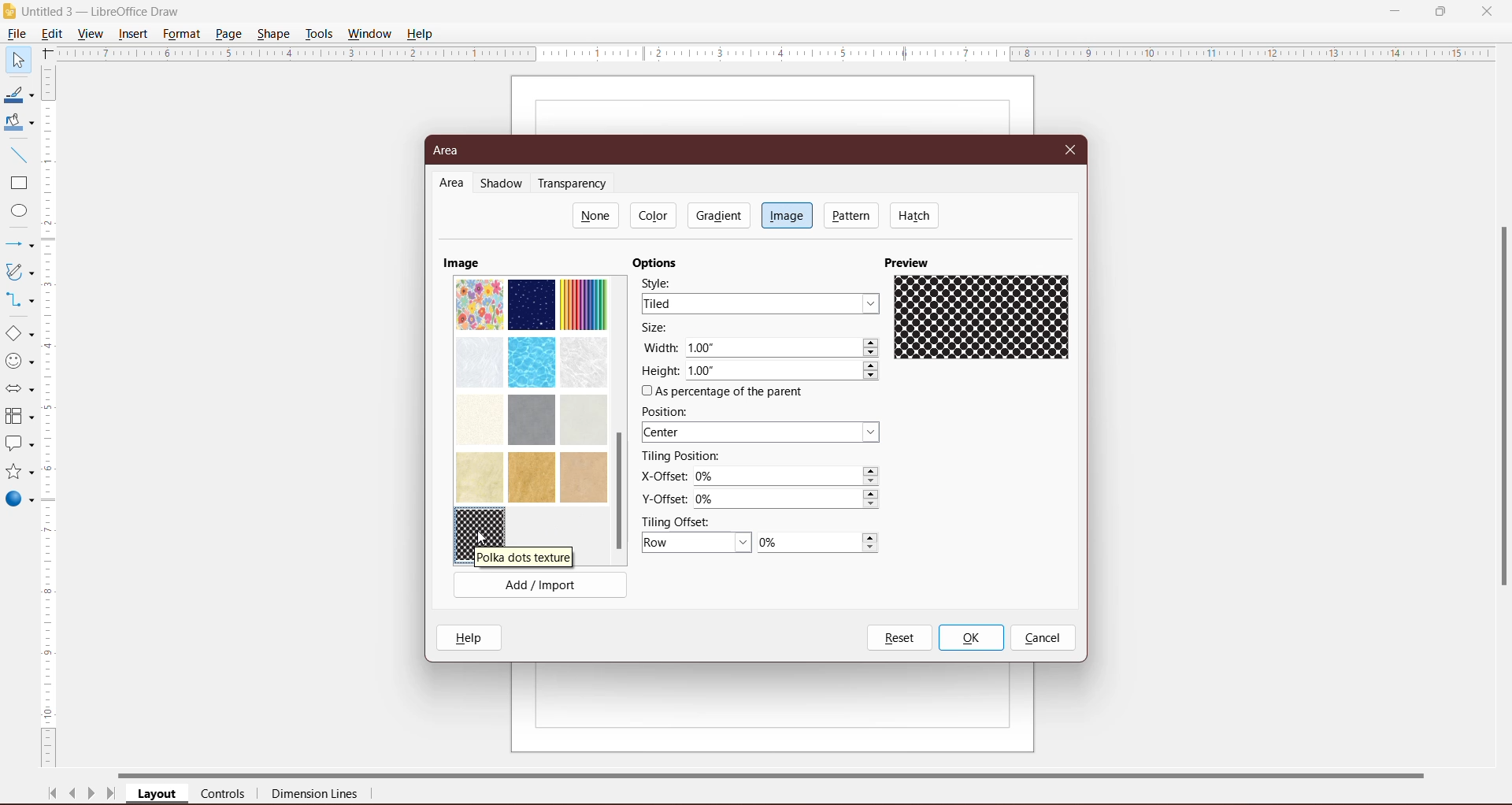  What do you see at coordinates (788, 773) in the screenshot?
I see `Horizontal Scroll Bar` at bounding box center [788, 773].